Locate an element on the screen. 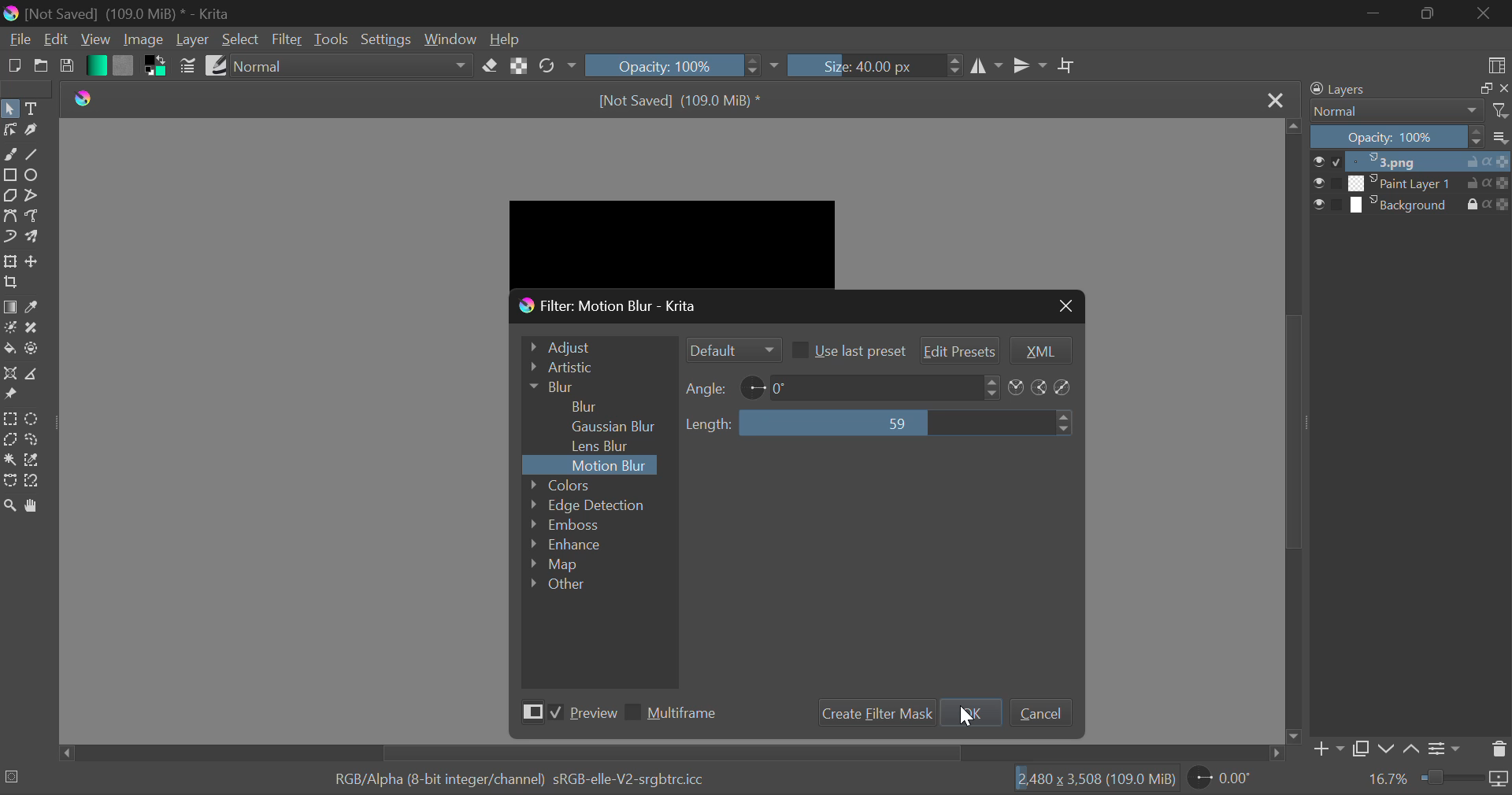  Vertical Mirror Flip is located at coordinates (988, 68).